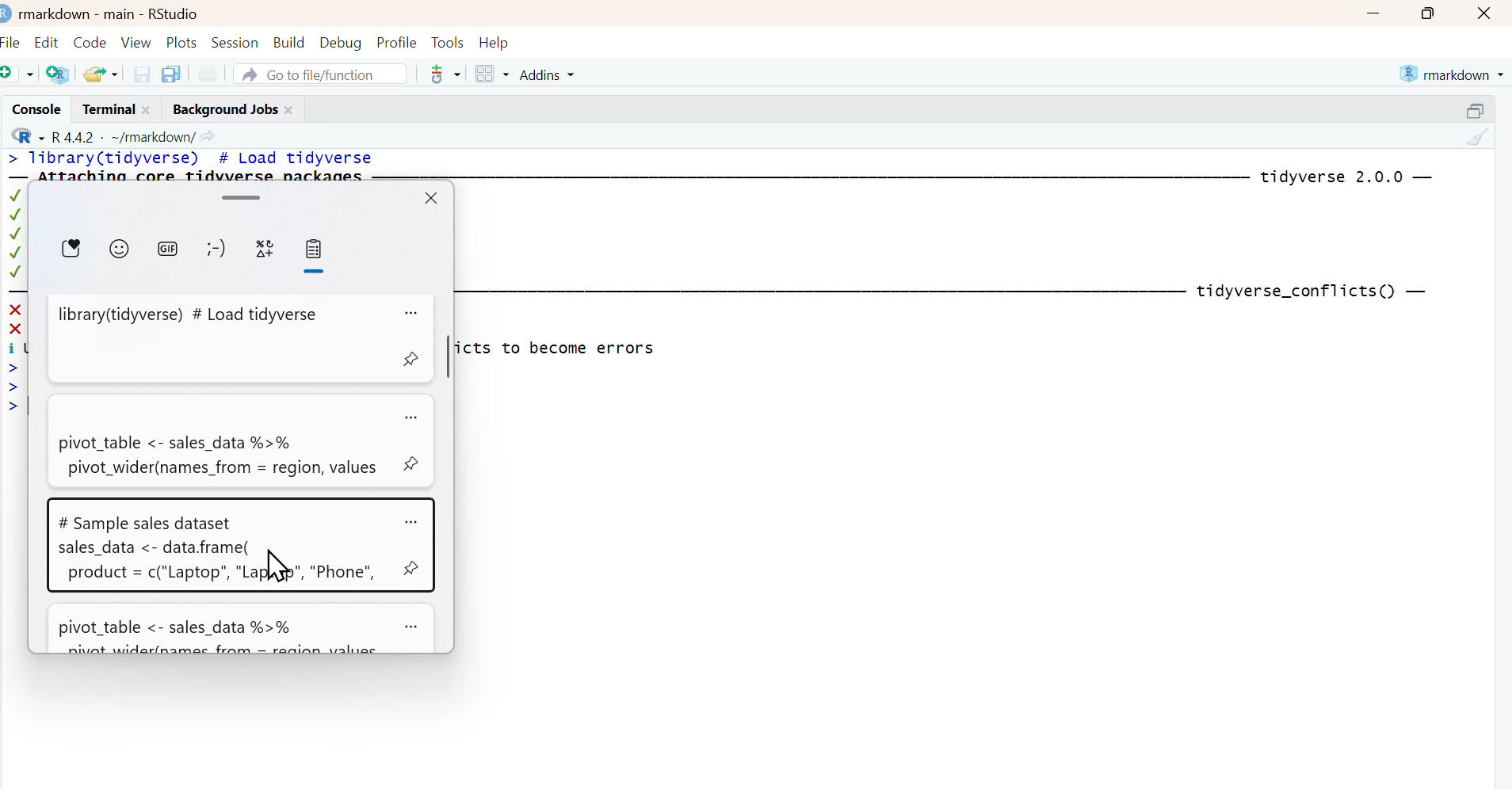 This screenshot has width=1512, height=789. I want to click on Help, so click(499, 41).